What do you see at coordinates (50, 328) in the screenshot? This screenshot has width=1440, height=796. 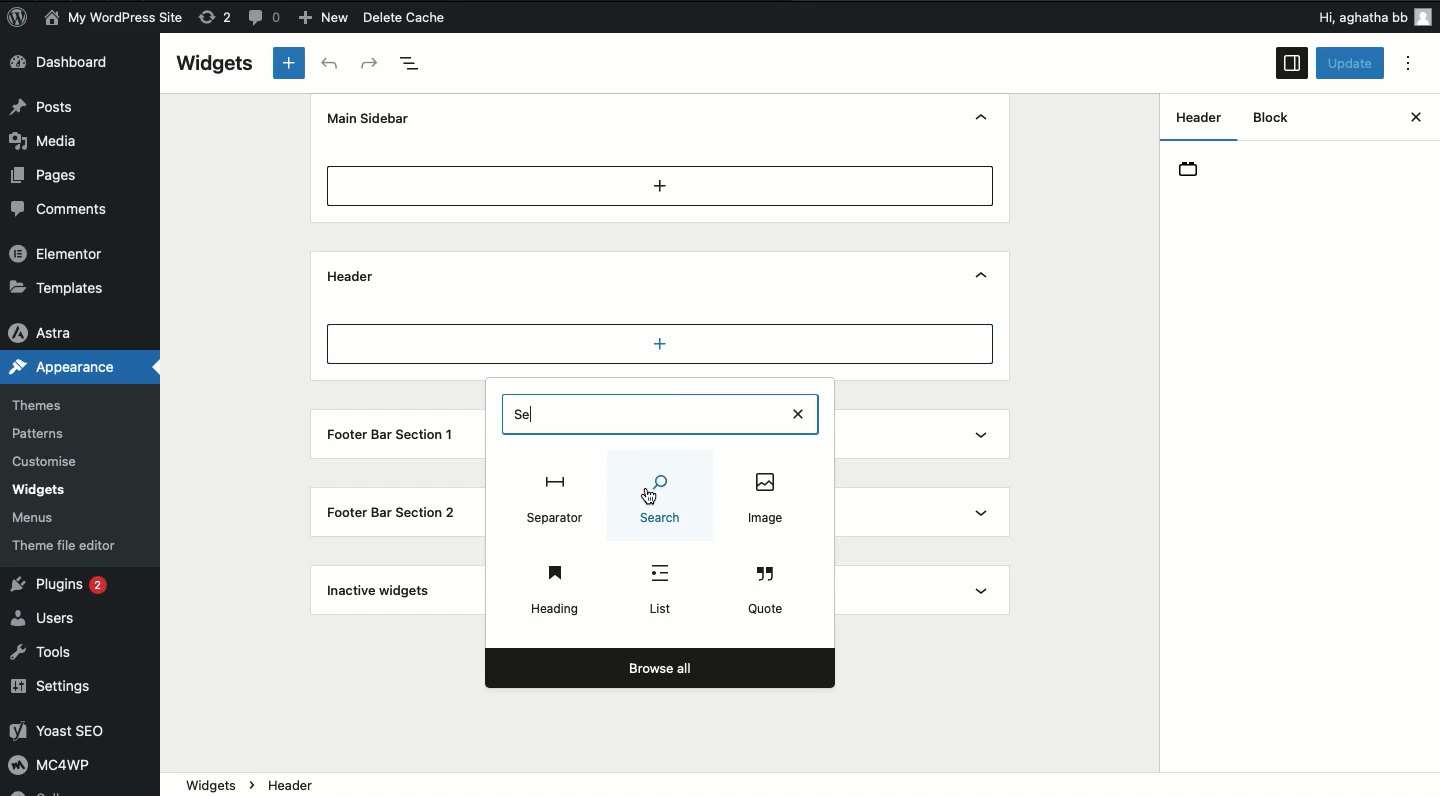 I see `Astra` at bounding box center [50, 328].